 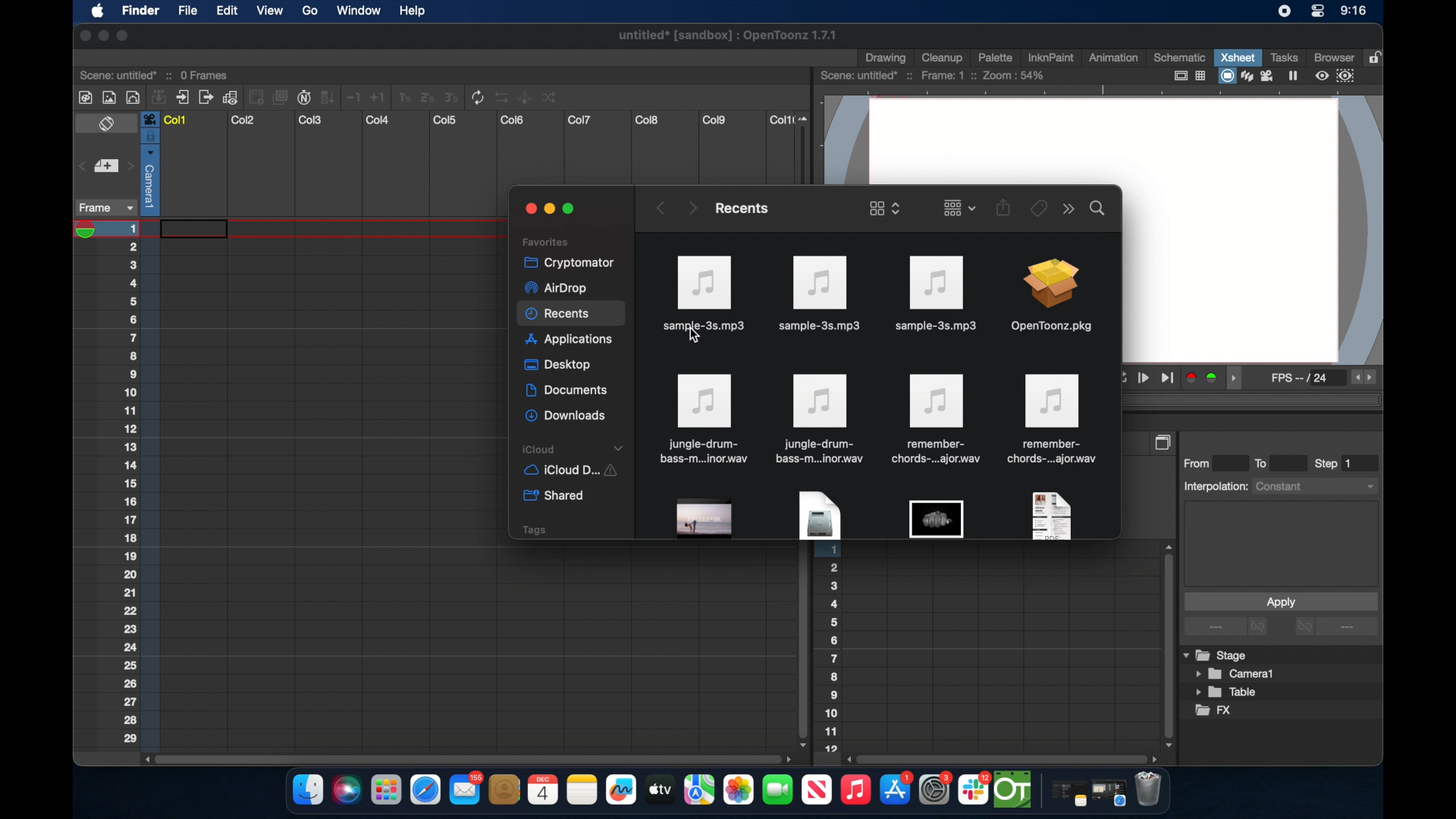 What do you see at coordinates (832, 651) in the screenshot?
I see `numbering` at bounding box center [832, 651].